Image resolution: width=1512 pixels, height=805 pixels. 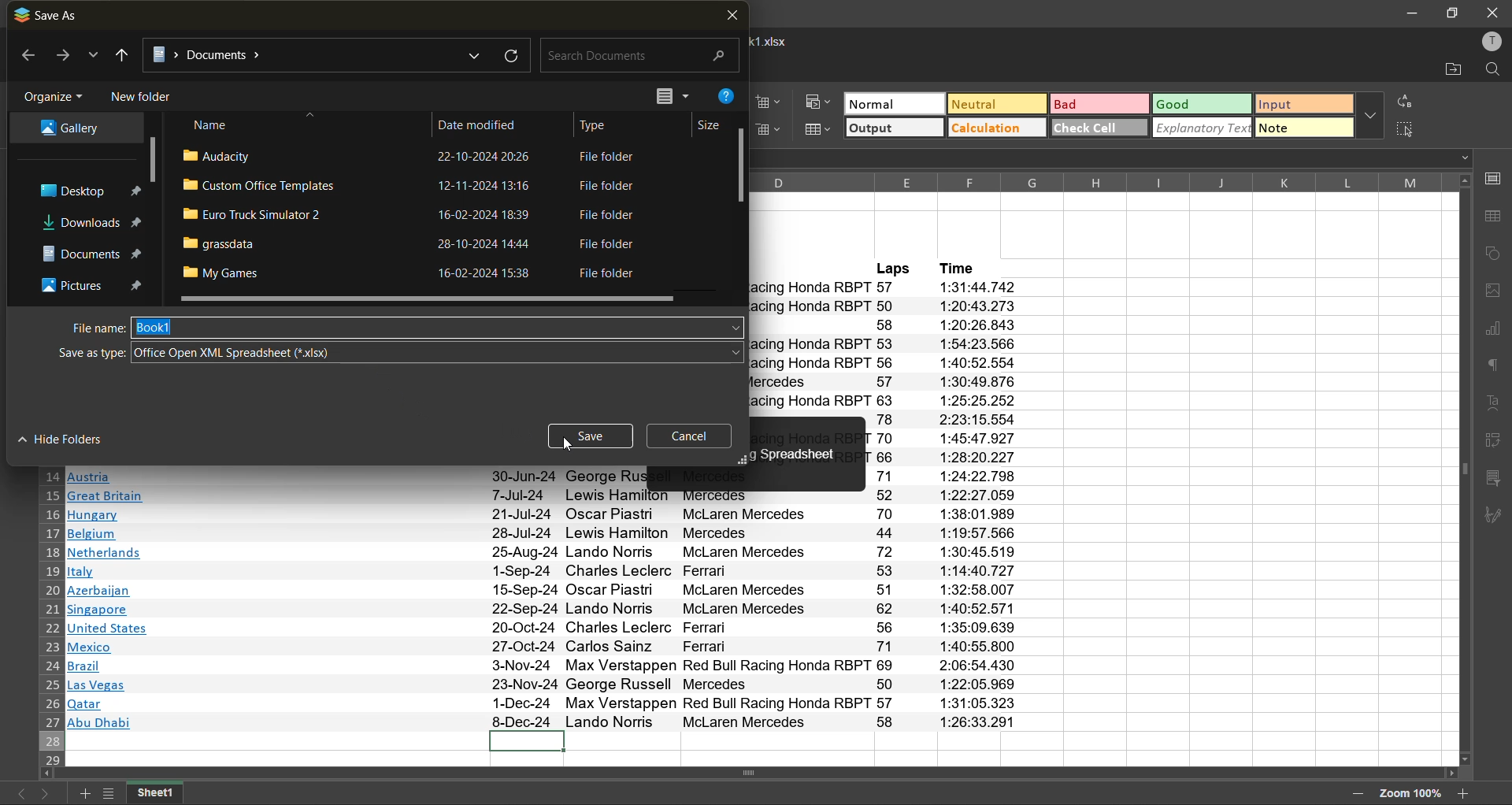 What do you see at coordinates (997, 103) in the screenshot?
I see `neutral` at bounding box center [997, 103].